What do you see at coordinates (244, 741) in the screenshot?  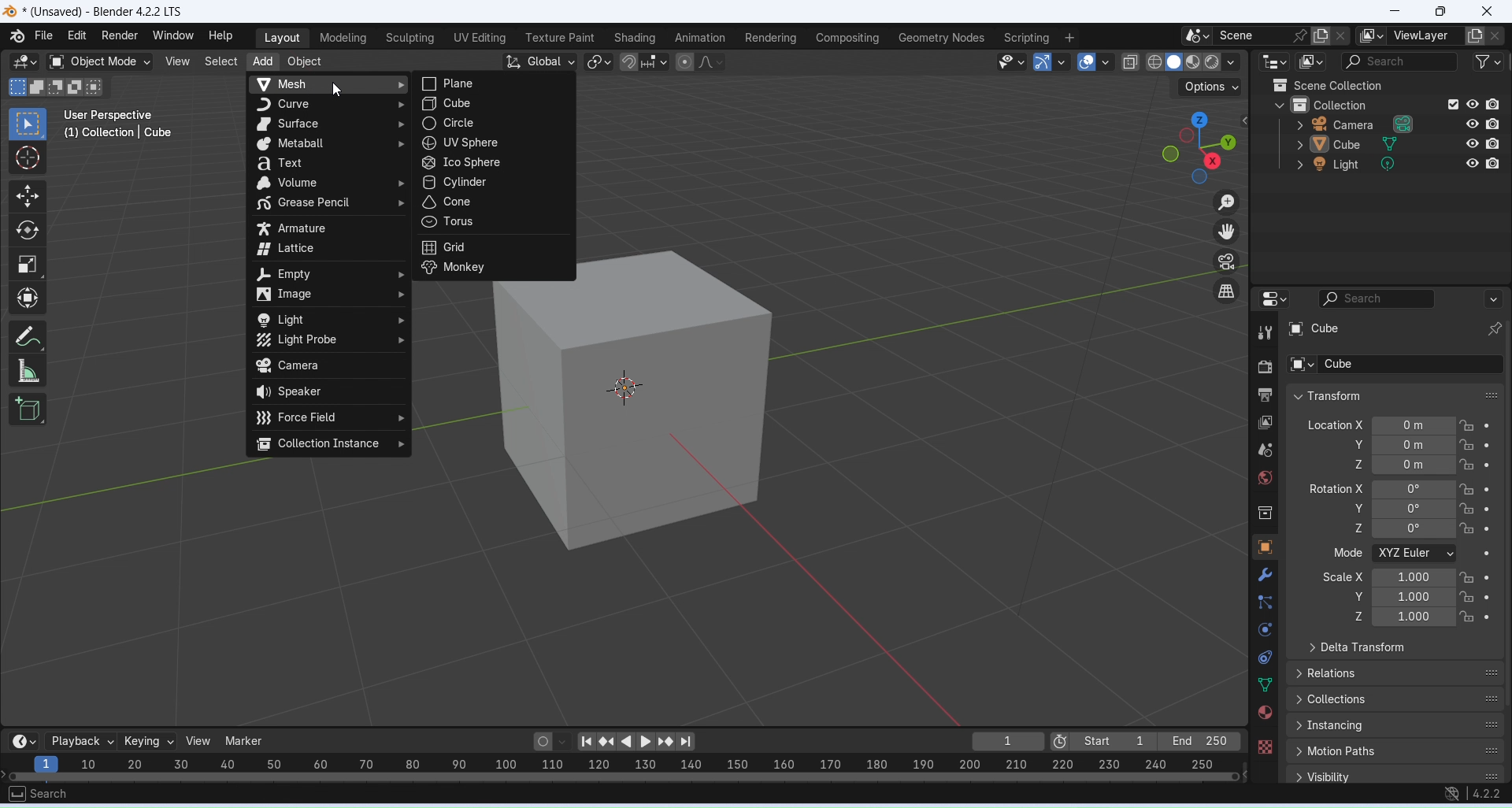 I see `Marker` at bounding box center [244, 741].